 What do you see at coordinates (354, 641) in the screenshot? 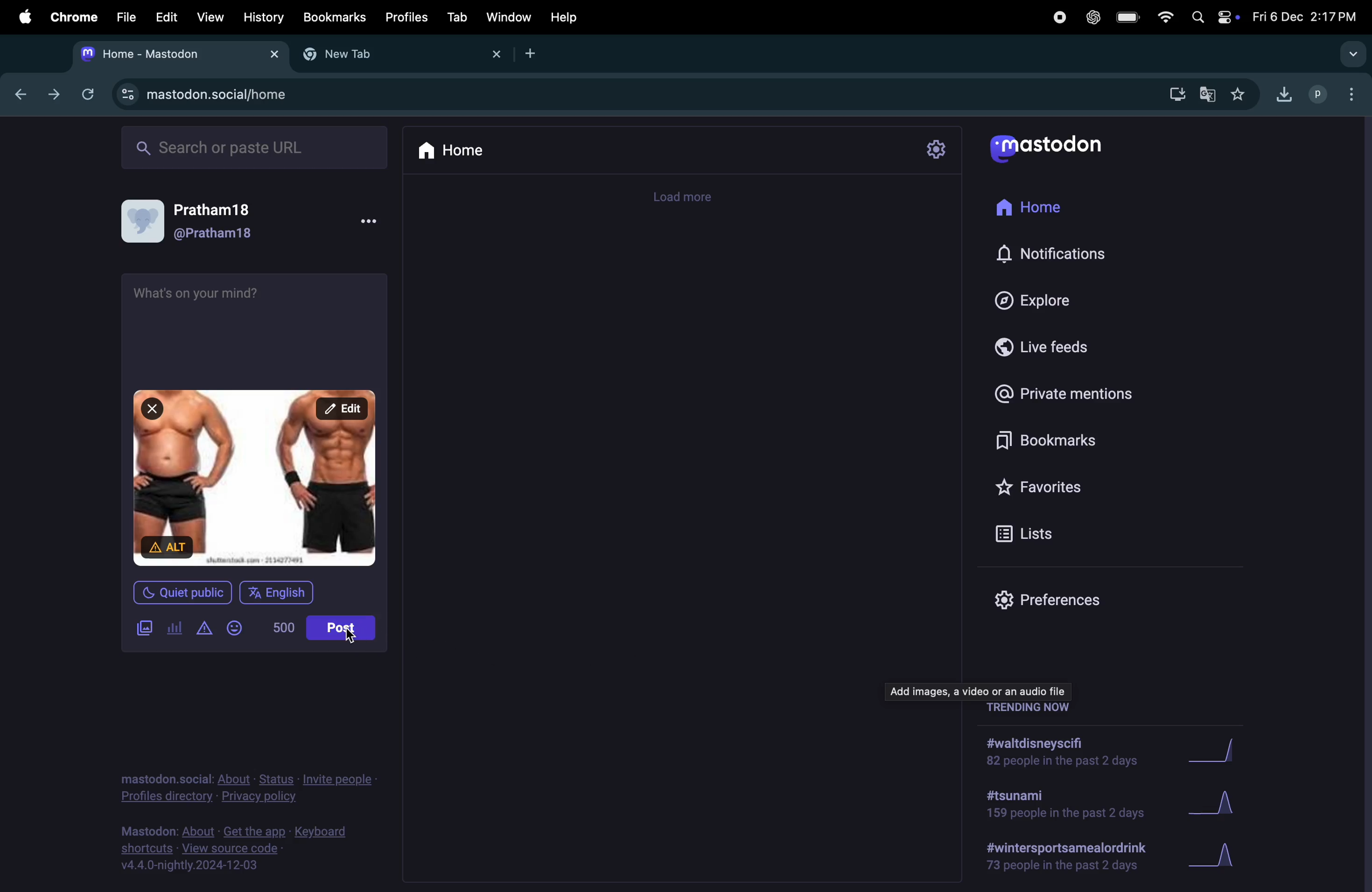
I see `cursor` at bounding box center [354, 641].